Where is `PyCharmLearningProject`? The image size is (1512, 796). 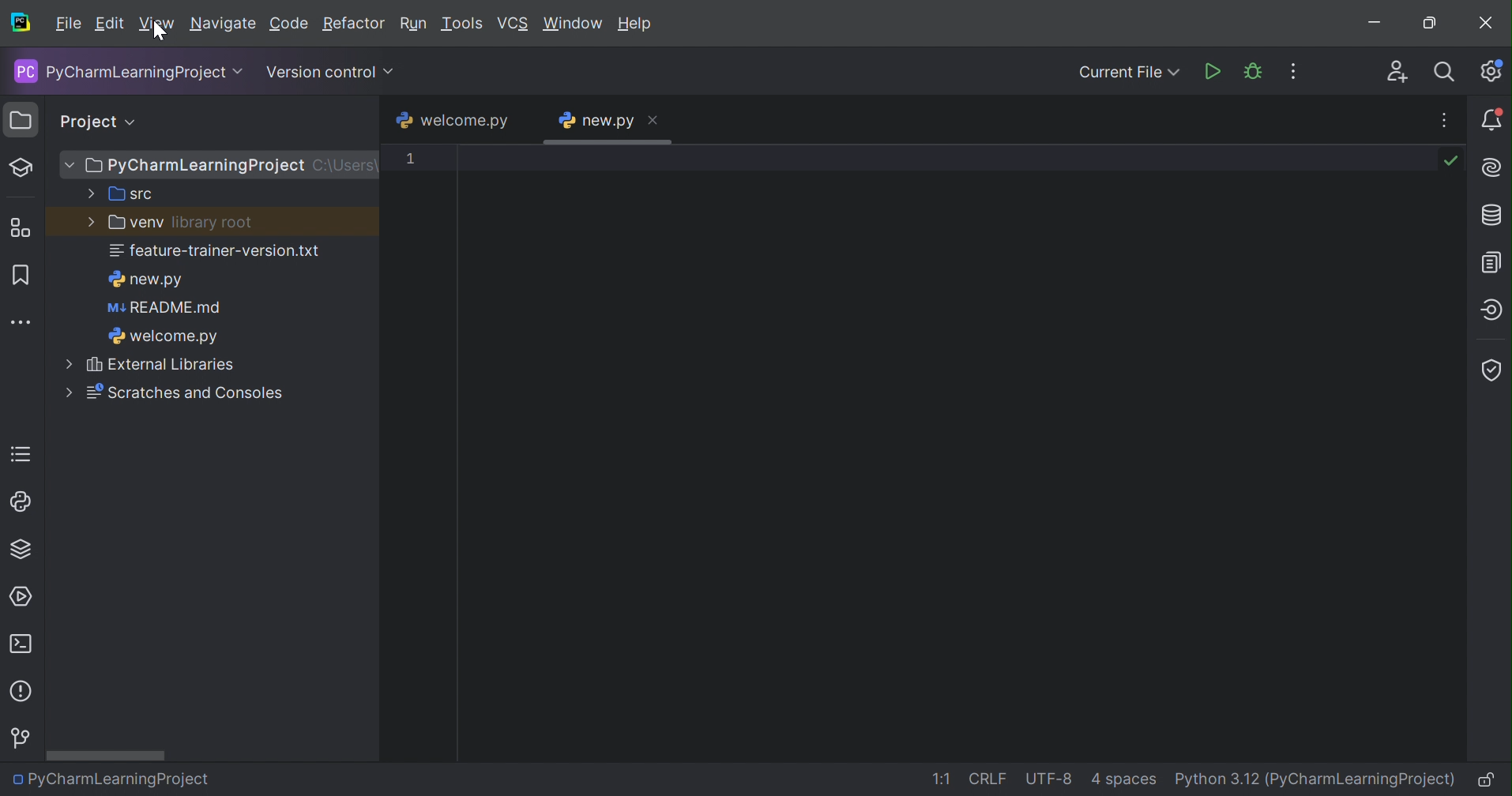
PyCharmLearningProject is located at coordinates (181, 167).